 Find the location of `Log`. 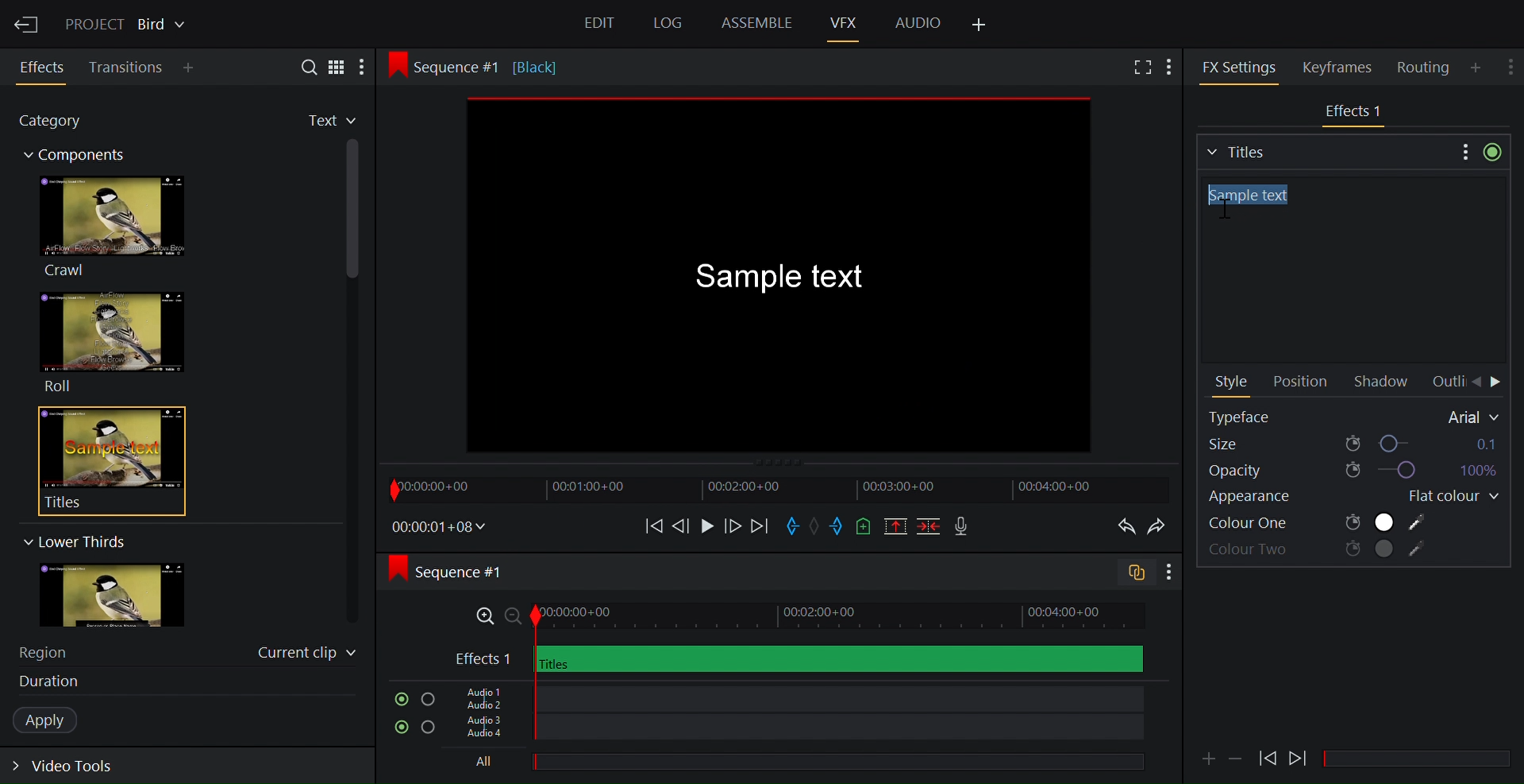

Log is located at coordinates (665, 24).